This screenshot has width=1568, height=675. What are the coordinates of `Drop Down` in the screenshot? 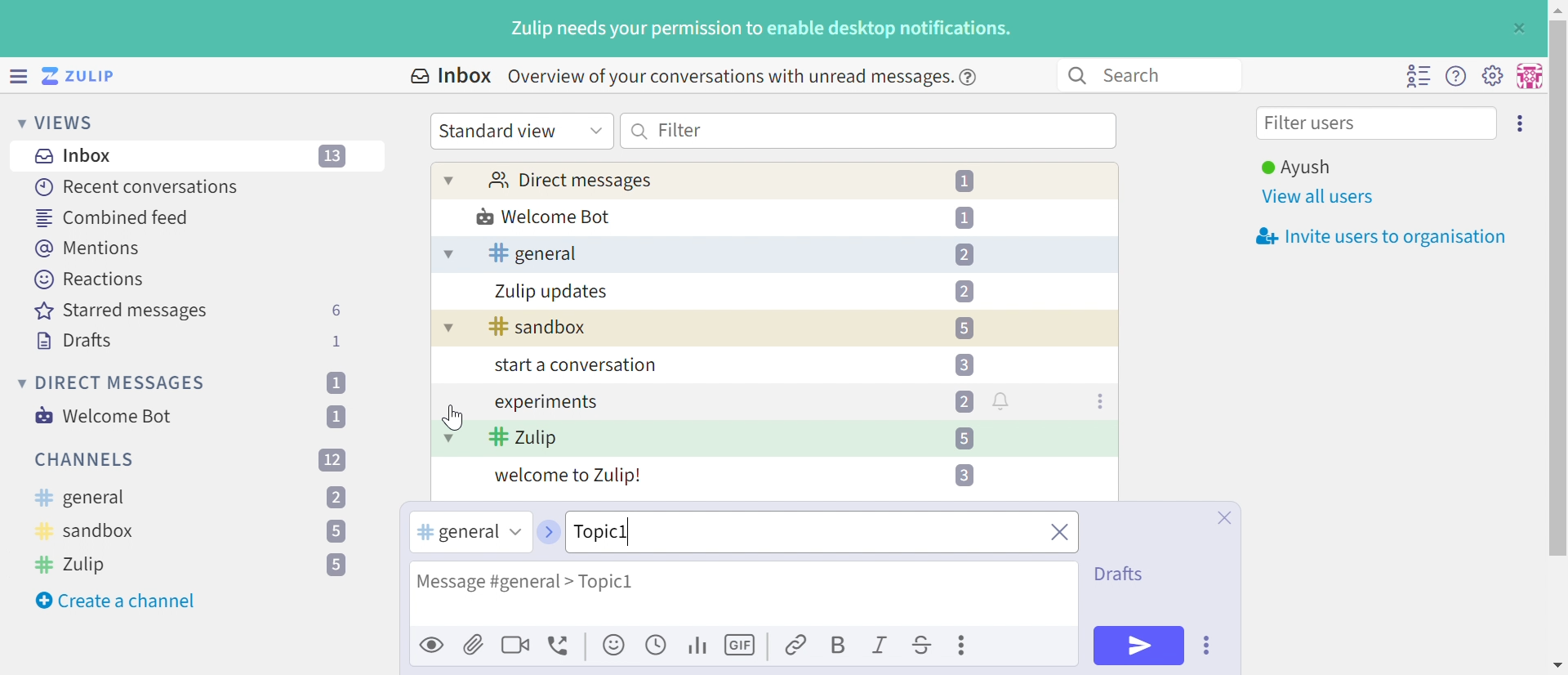 It's located at (19, 382).